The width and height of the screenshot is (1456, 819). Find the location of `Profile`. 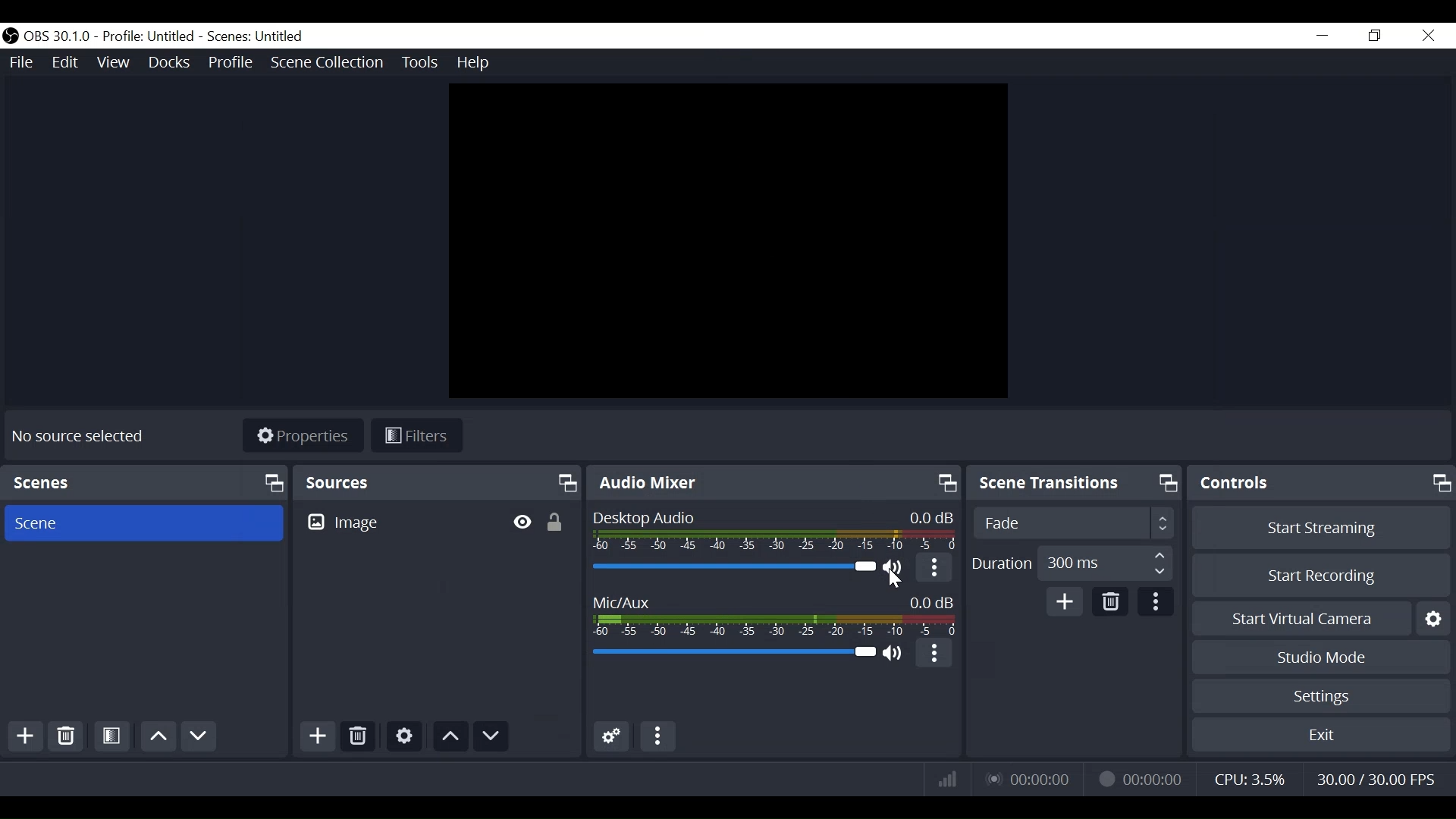

Profile is located at coordinates (231, 64).